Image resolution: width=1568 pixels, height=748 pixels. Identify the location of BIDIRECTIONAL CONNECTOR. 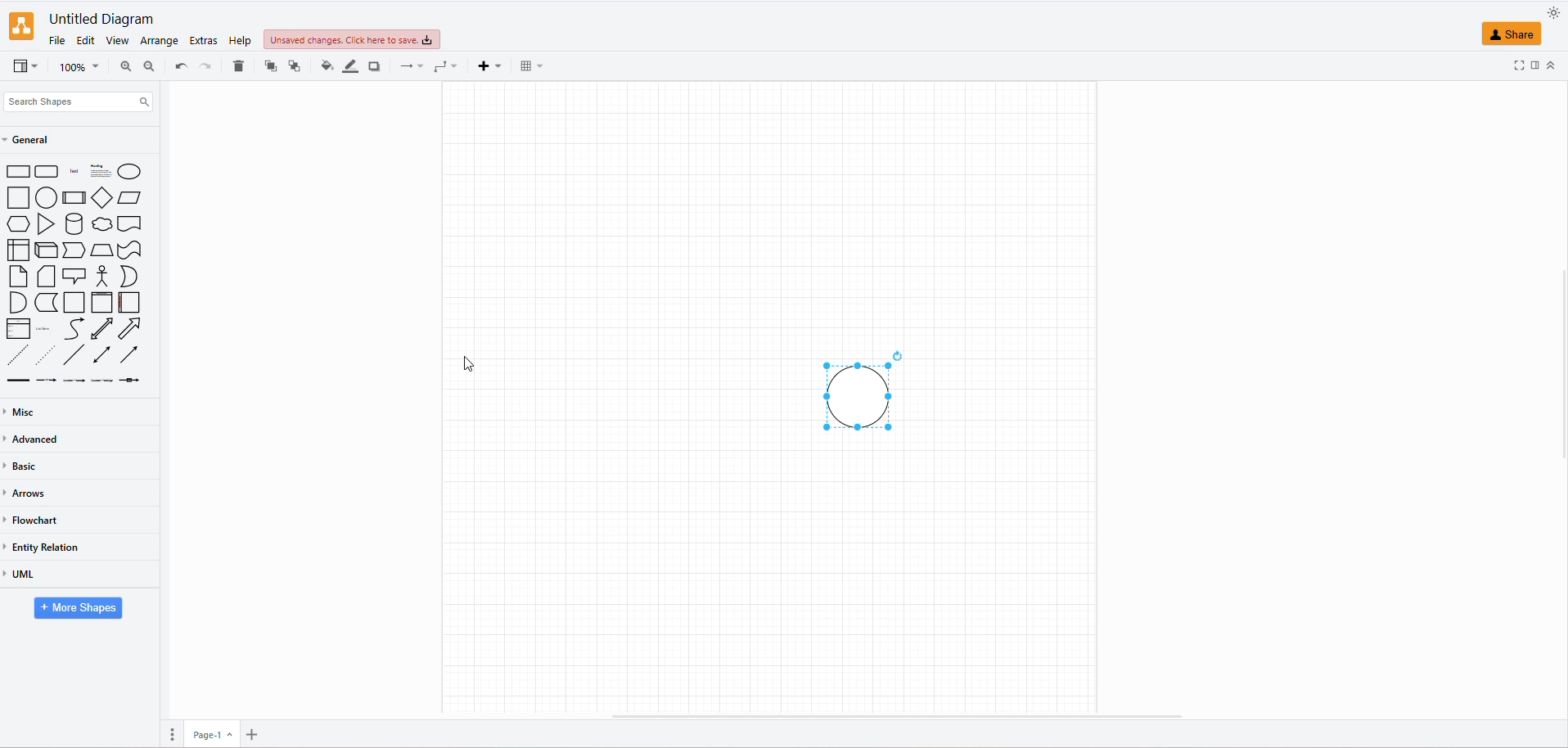
(101, 354).